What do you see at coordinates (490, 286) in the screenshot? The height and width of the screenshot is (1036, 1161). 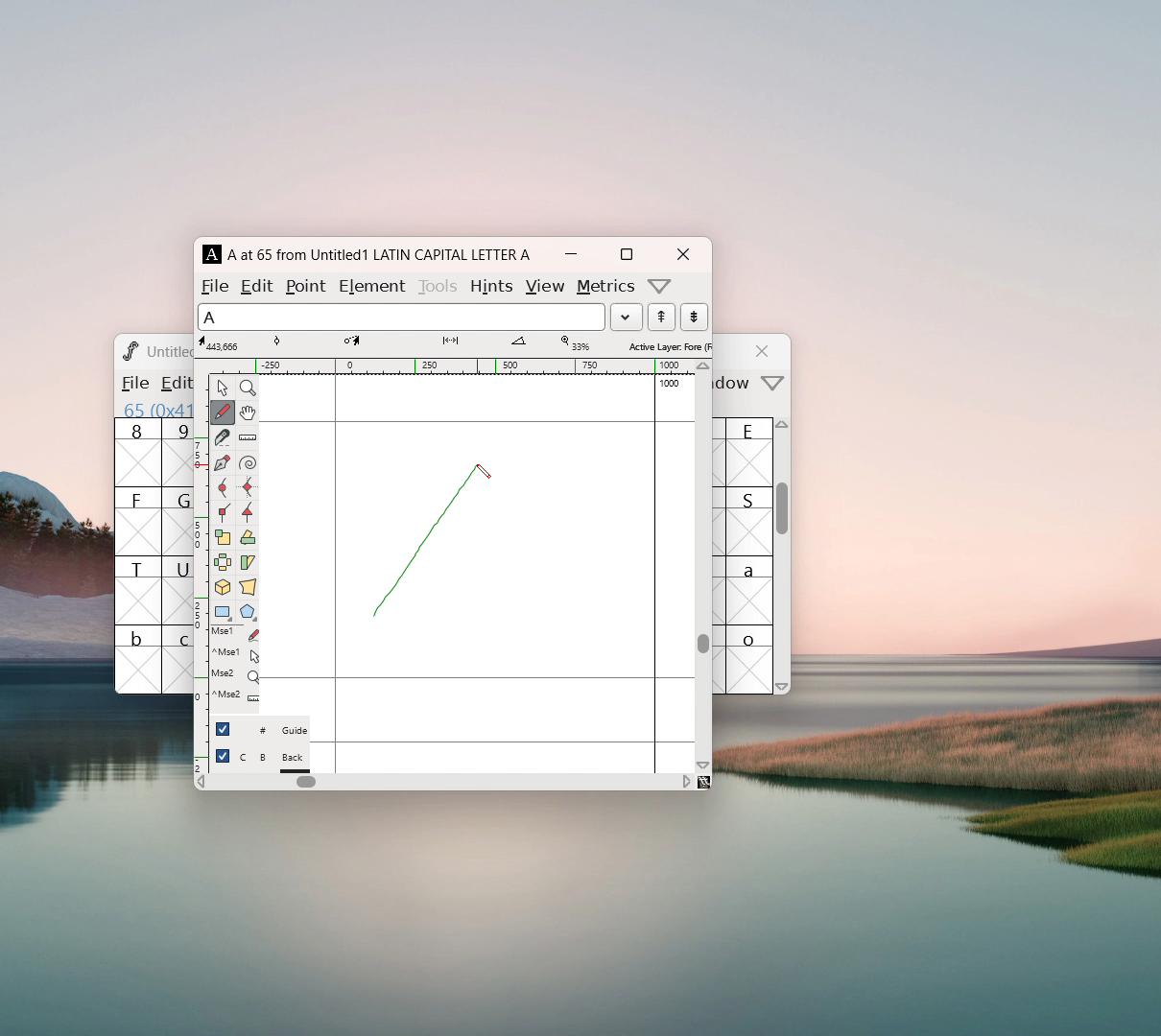 I see `hints` at bounding box center [490, 286].